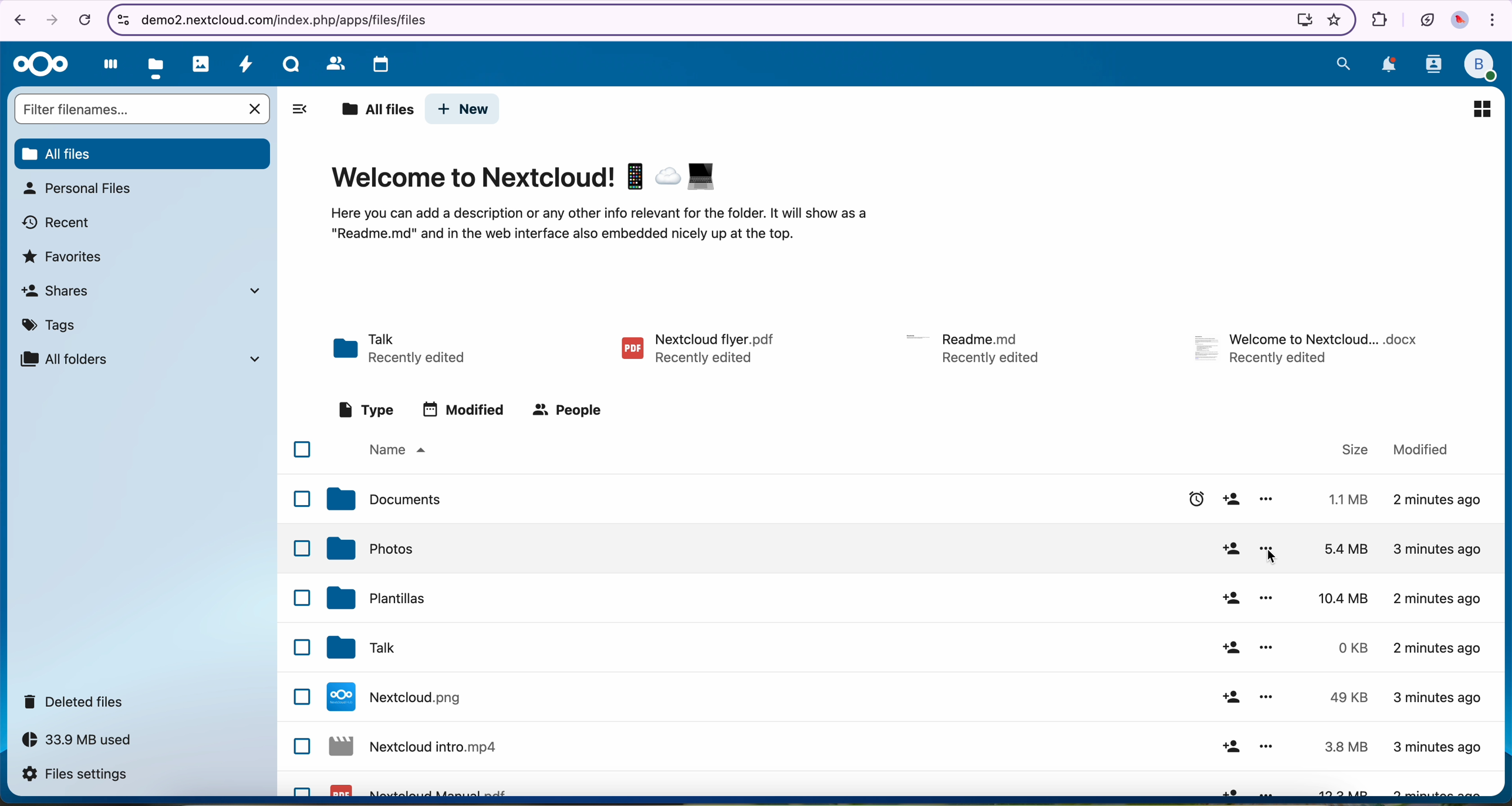 This screenshot has width=1512, height=806. I want to click on file, so click(971, 346).